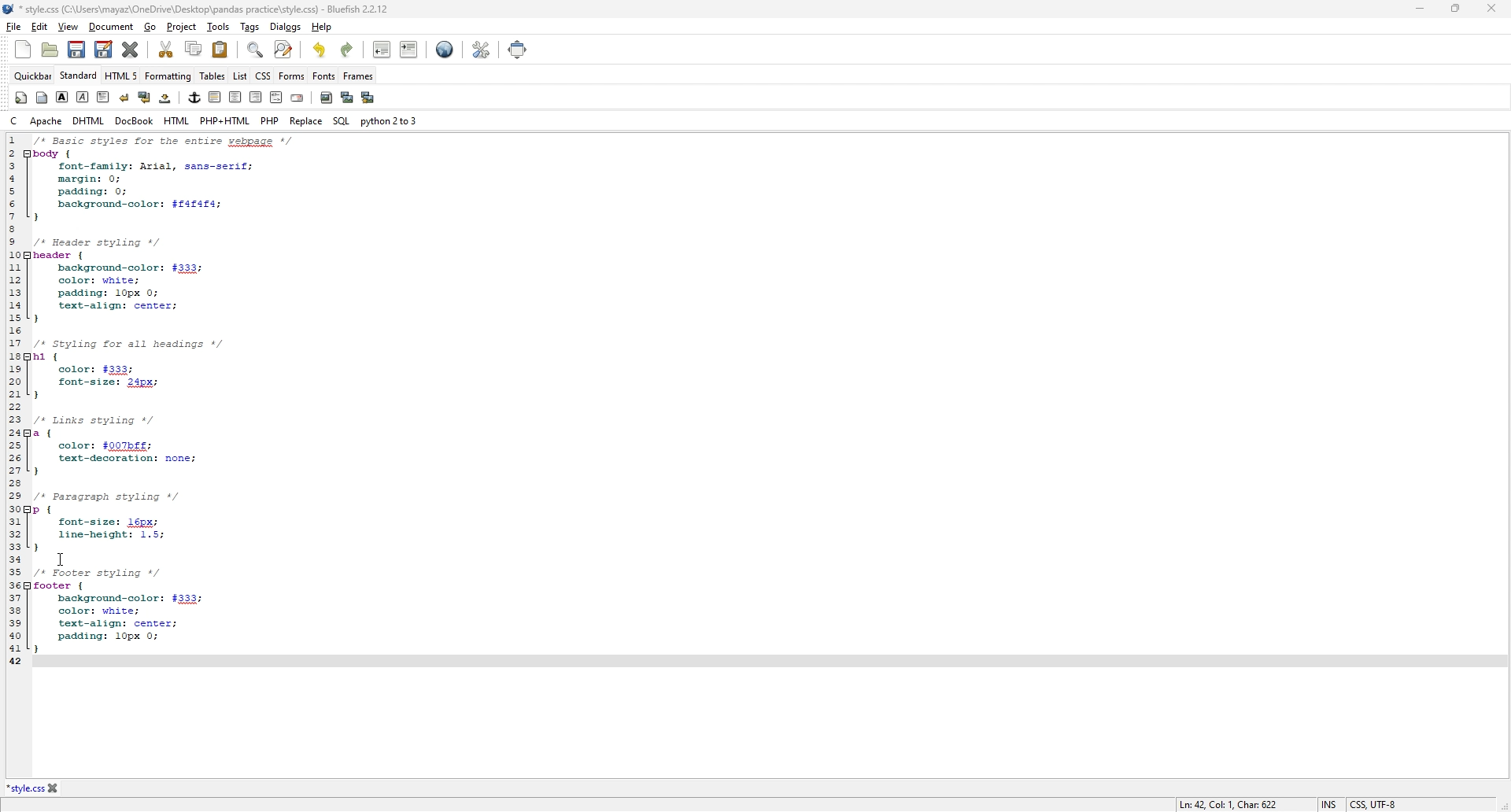 The image size is (1511, 812). Describe the element at coordinates (24, 49) in the screenshot. I see `new` at that location.